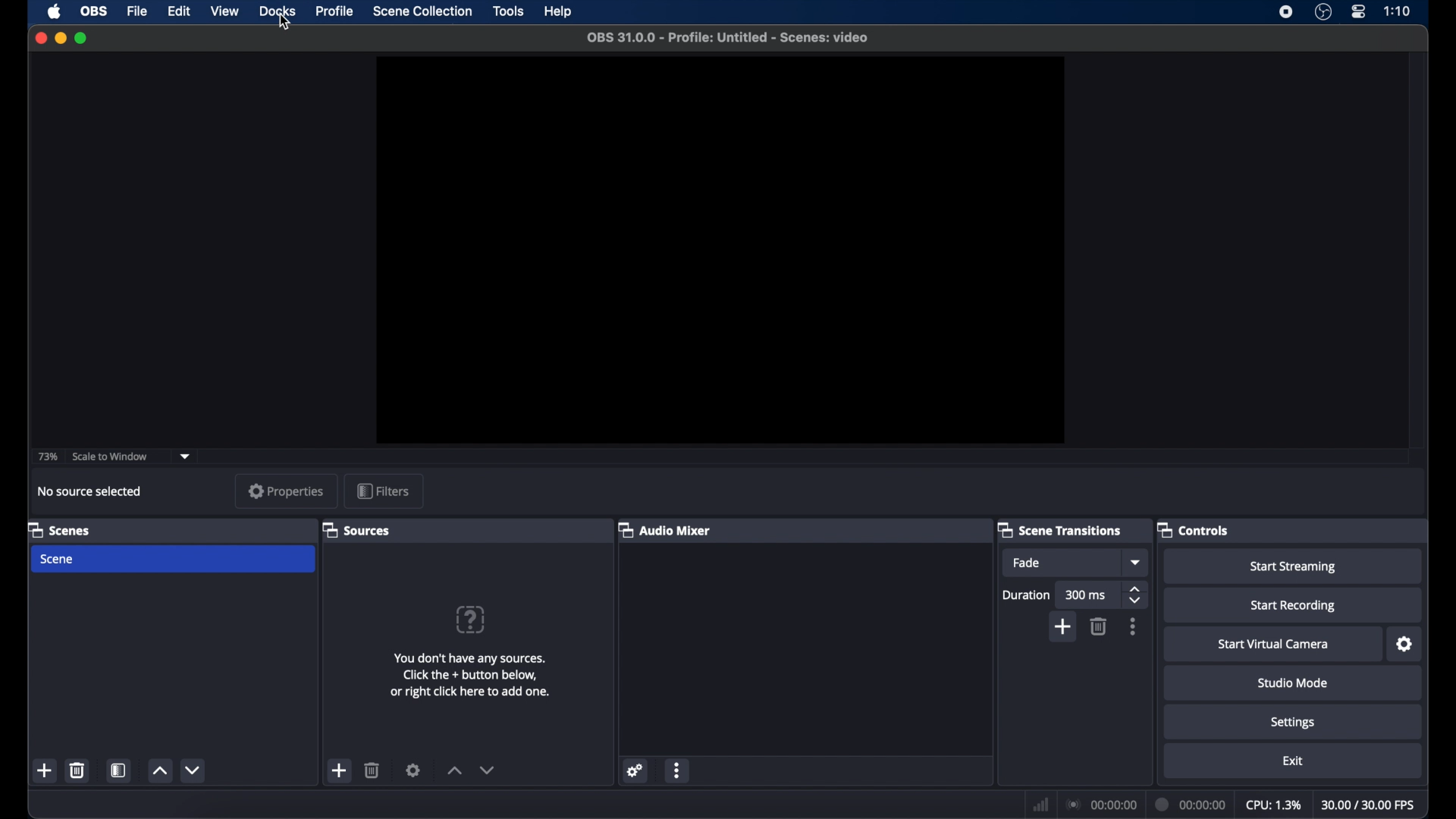 The image size is (1456, 819). Describe the element at coordinates (60, 38) in the screenshot. I see `minimize` at that location.